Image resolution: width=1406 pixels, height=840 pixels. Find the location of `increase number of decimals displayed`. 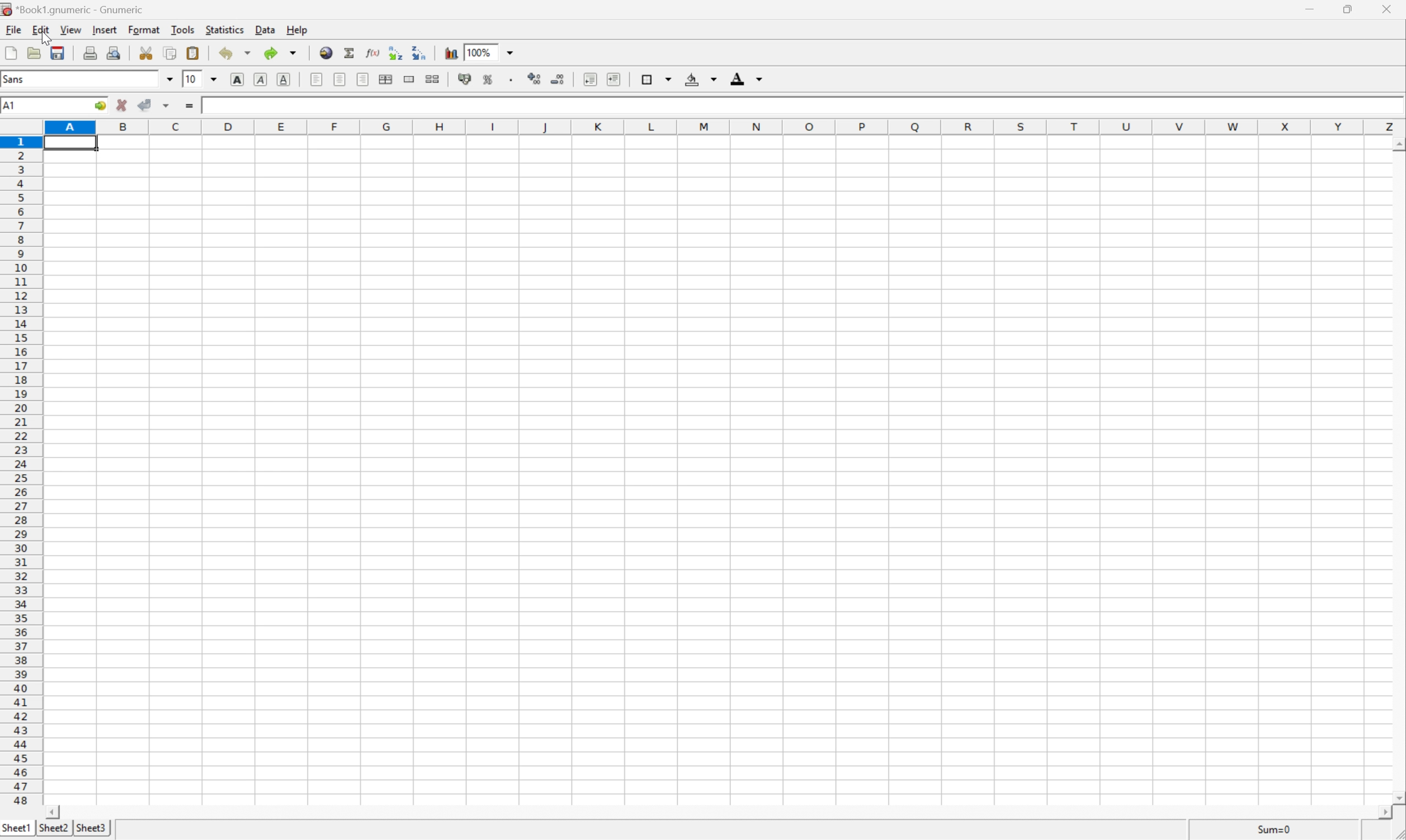

increase number of decimals displayed is located at coordinates (535, 79).